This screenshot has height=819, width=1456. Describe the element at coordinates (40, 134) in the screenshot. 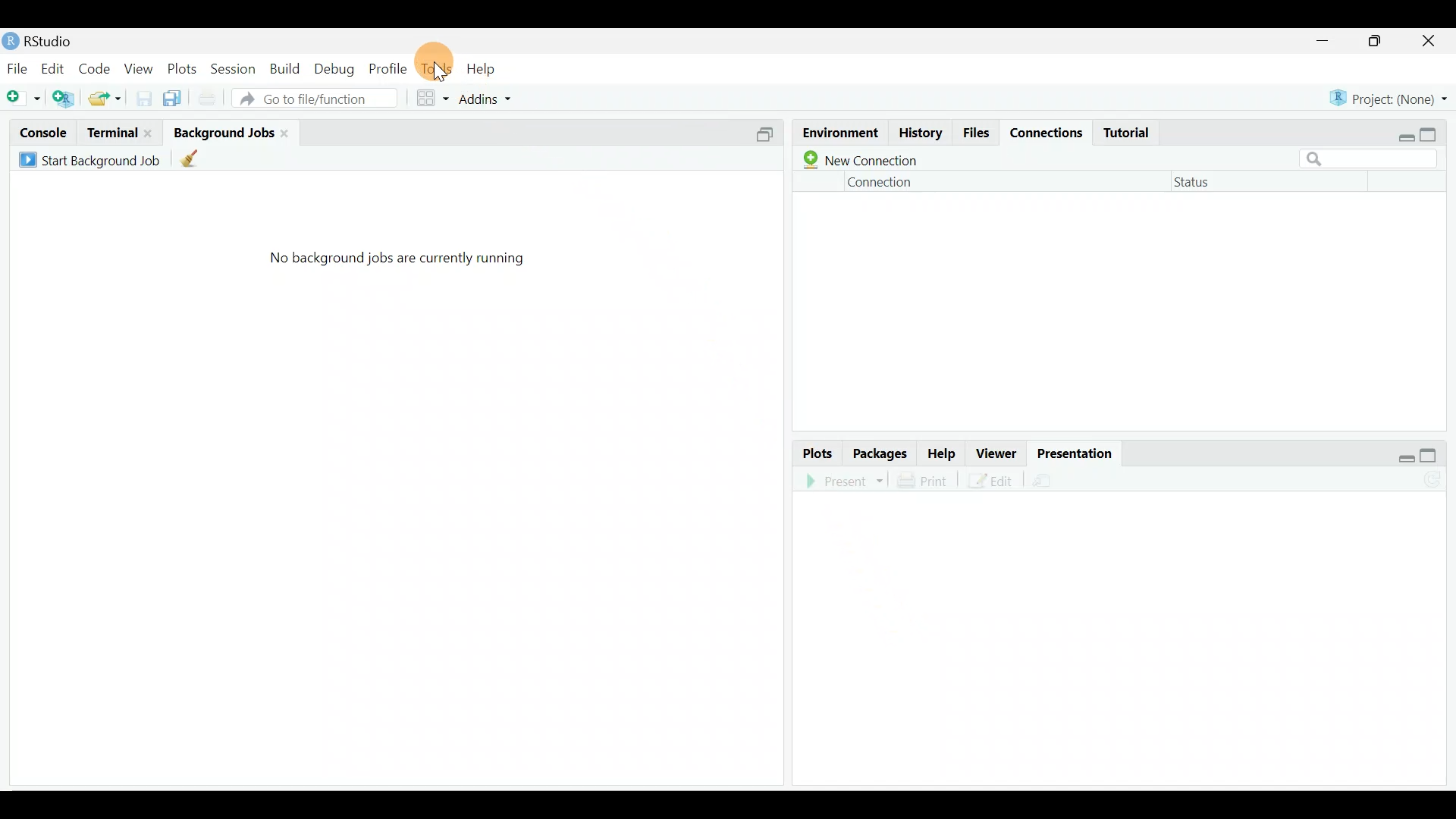

I see `Console` at that location.